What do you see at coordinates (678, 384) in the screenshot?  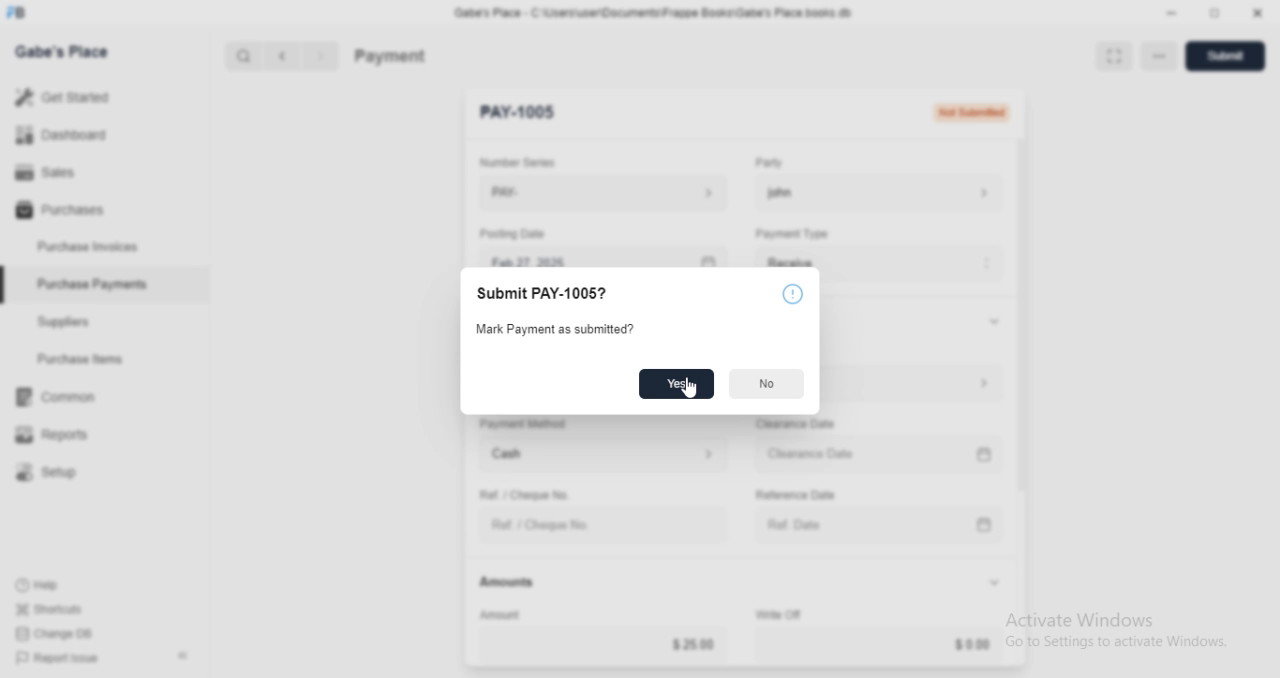 I see `Yes` at bounding box center [678, 384].